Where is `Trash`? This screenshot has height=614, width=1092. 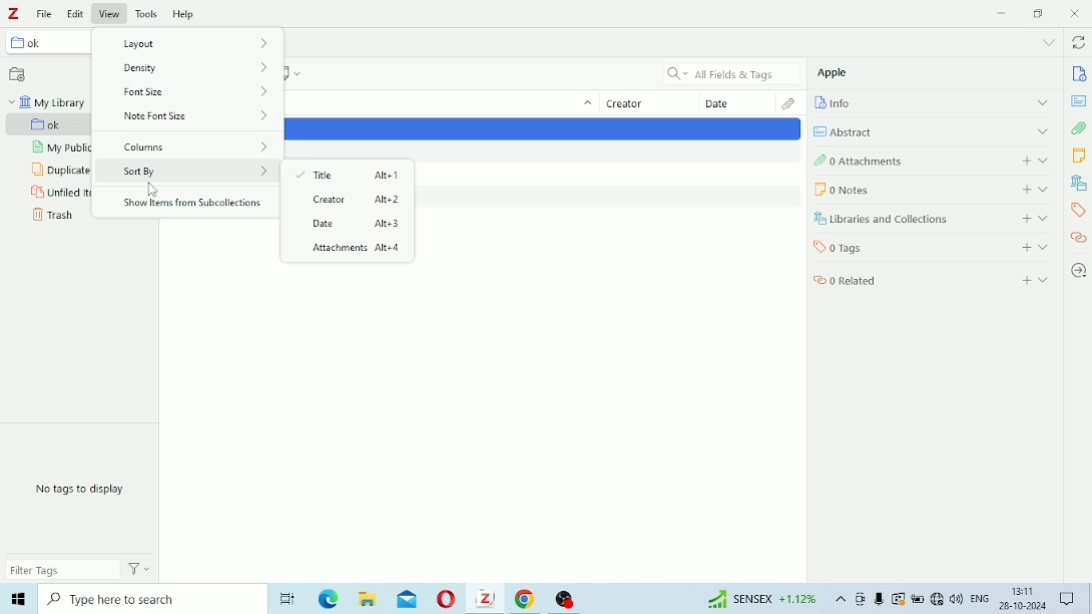 Trash is located at coordinates (53, 218).